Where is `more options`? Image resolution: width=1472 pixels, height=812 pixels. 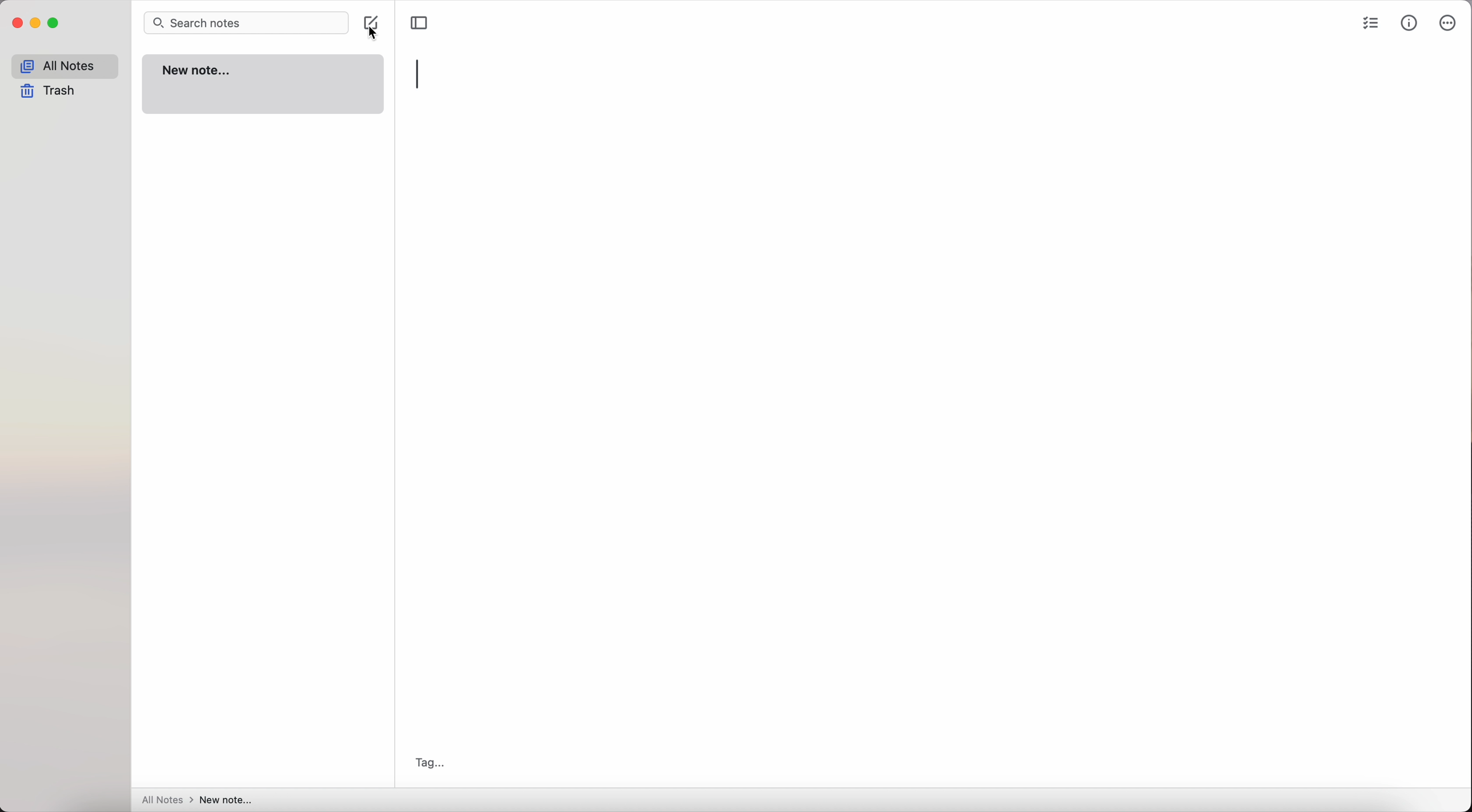
more options is located at coordinates (1449, 24).